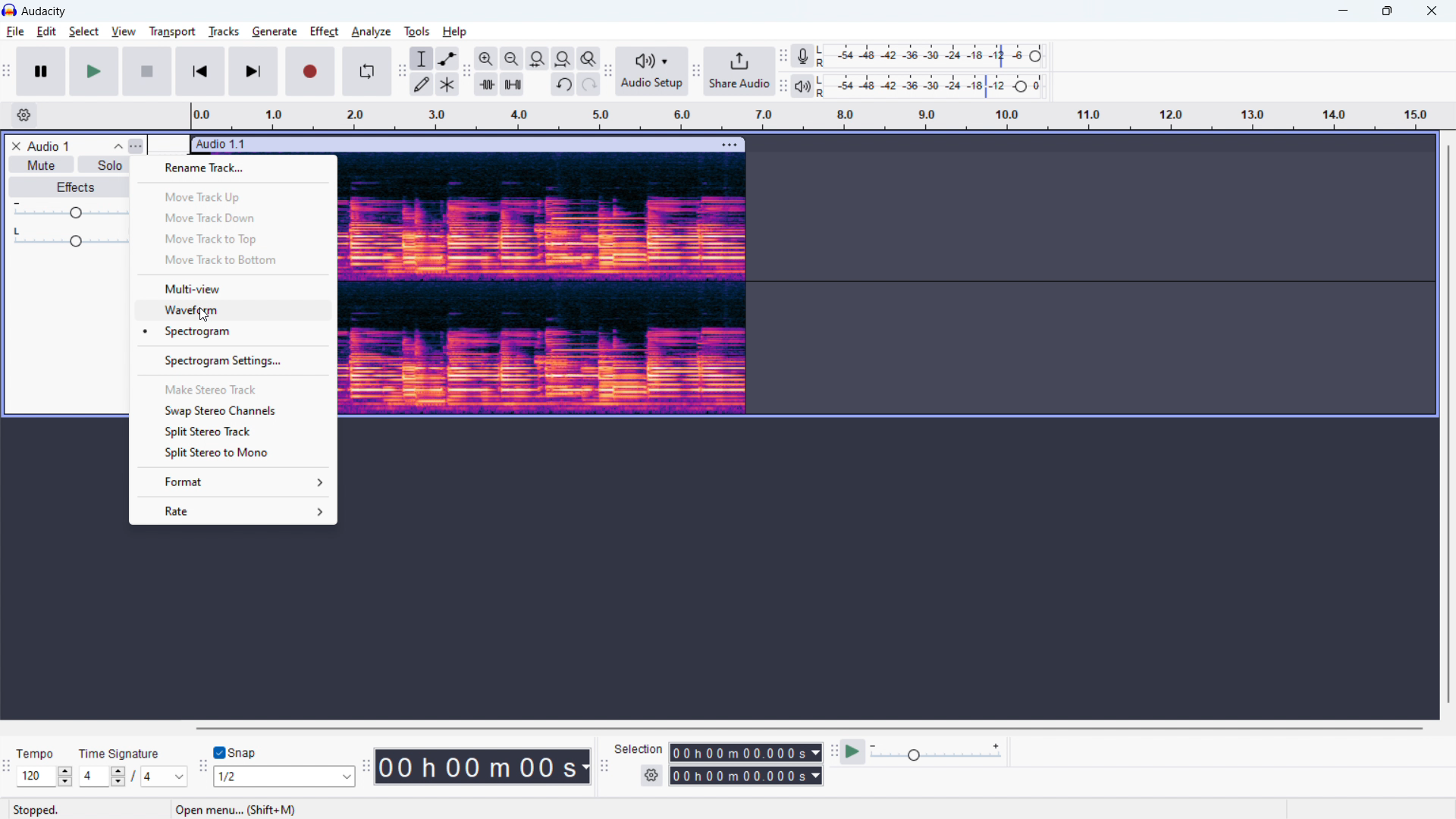 The image size is (1456, 819). What do you see at coordinates (423, 83) in the screenshot?
I see `draw tool` at bounding box center [423, 83].